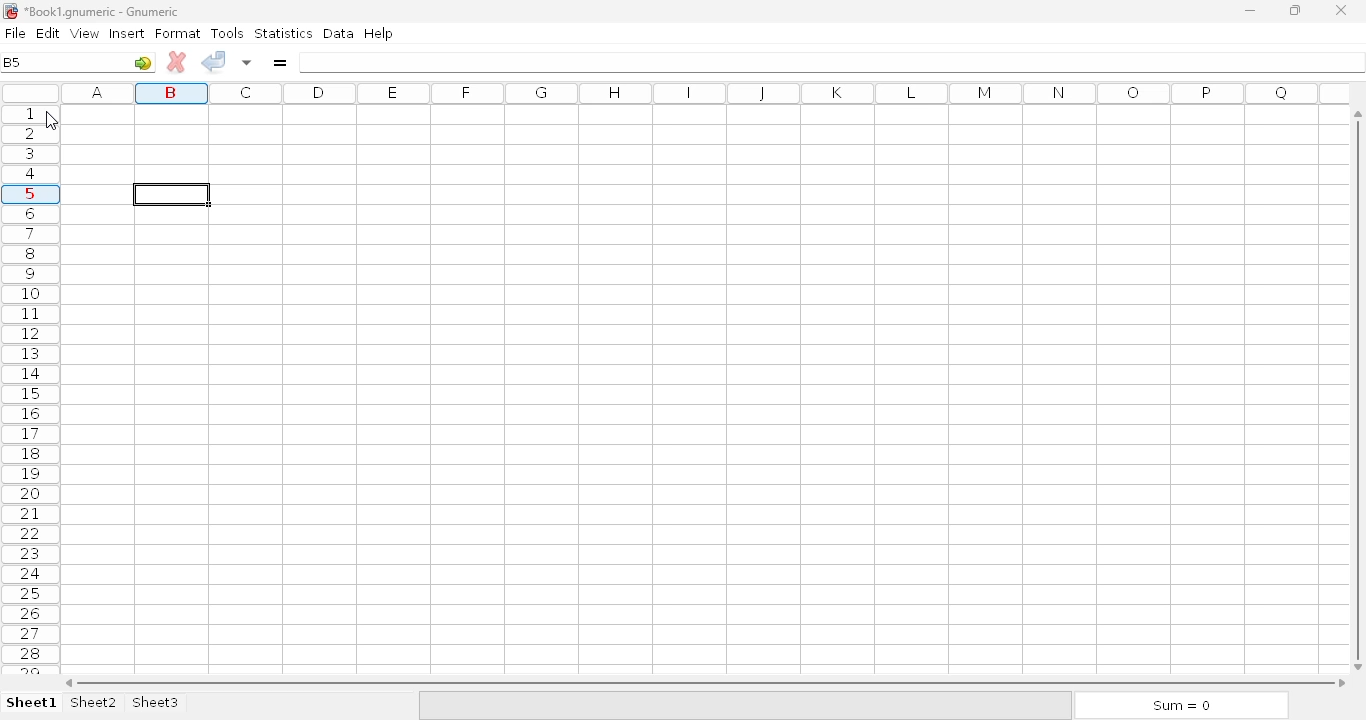  I want to click on minimize, so click(1249, 11).